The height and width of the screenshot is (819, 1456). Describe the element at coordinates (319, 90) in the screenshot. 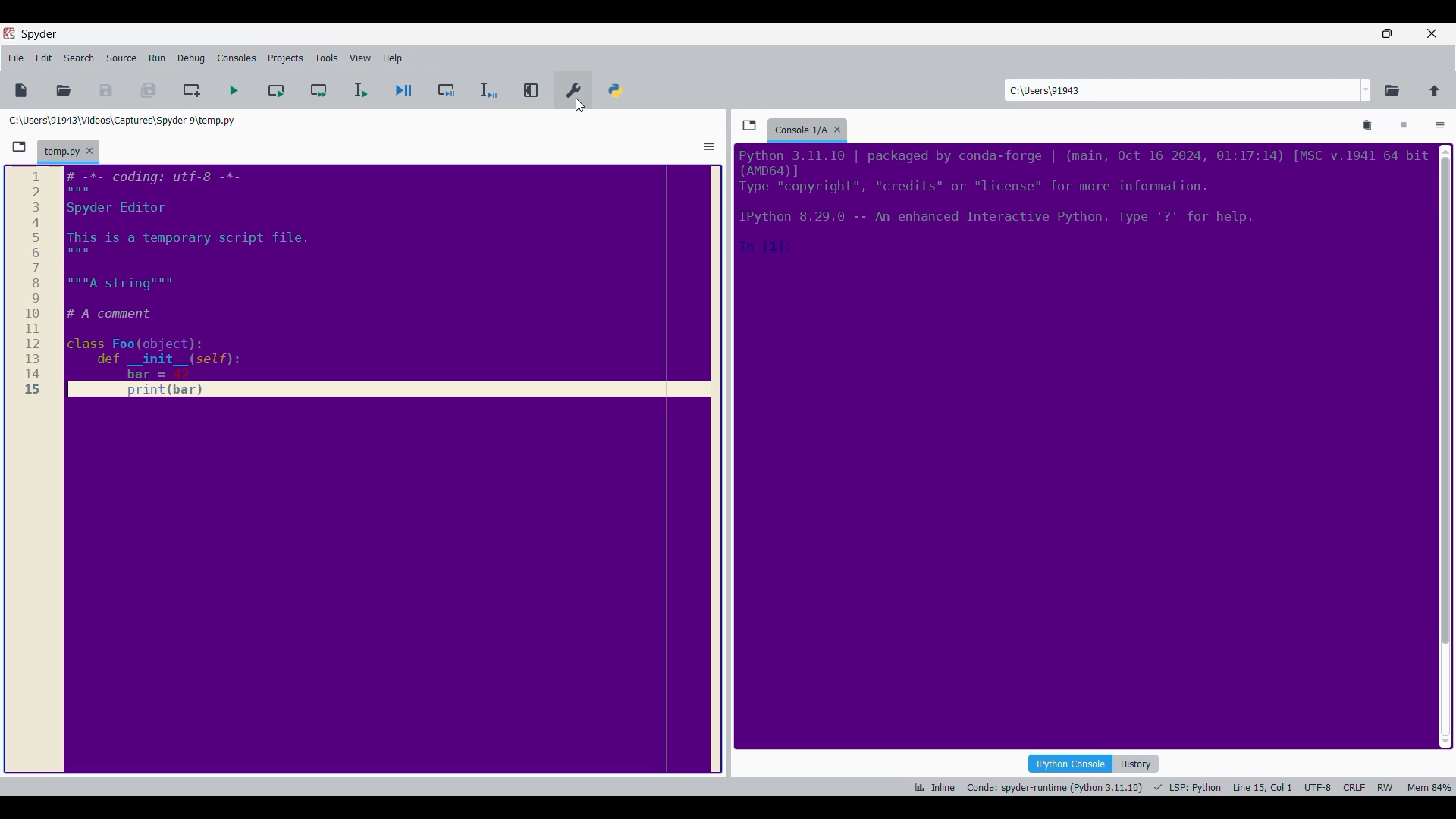

I see `Run current cell and go to next one` at that location.